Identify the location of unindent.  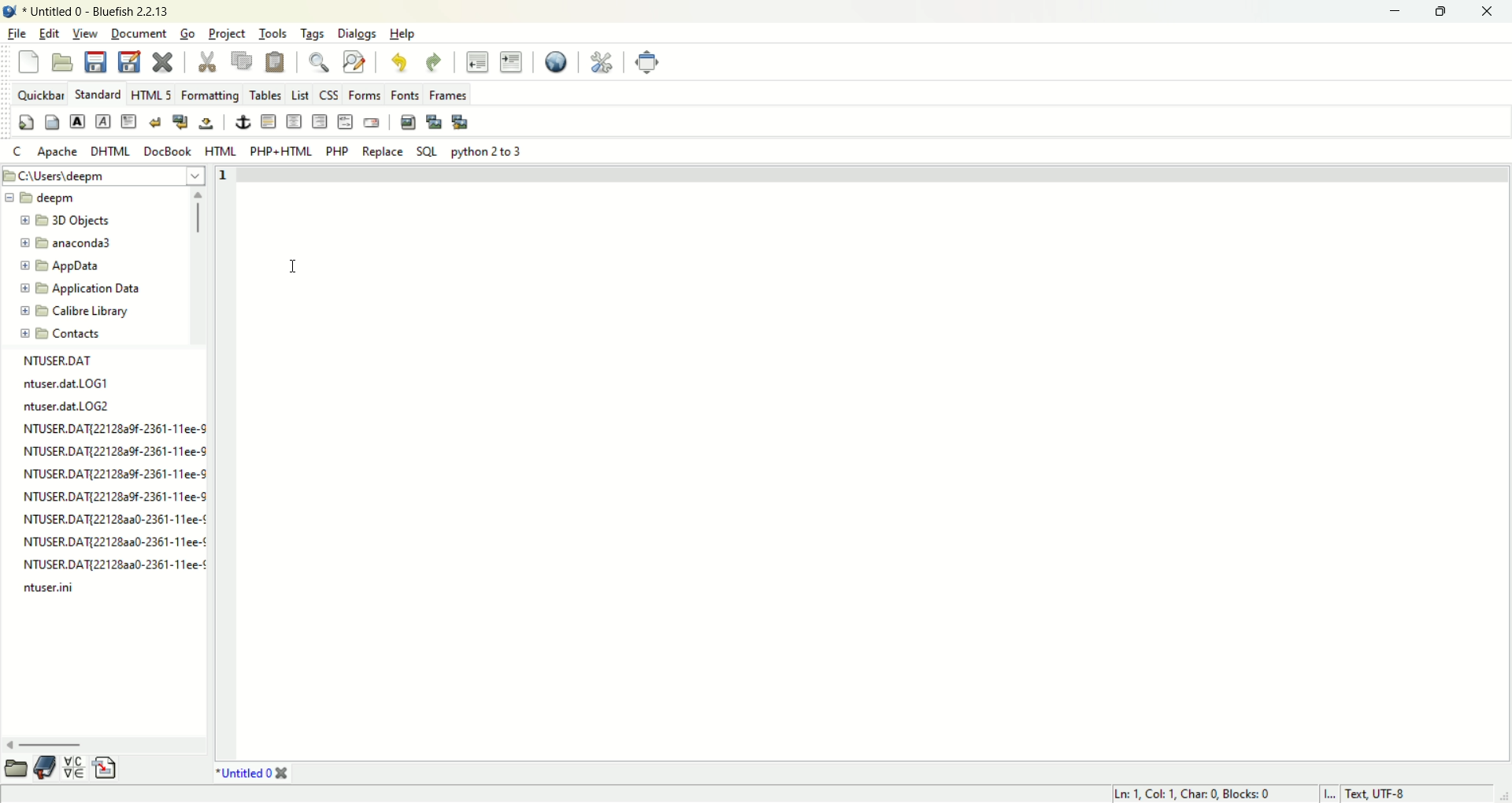
(476, 62).